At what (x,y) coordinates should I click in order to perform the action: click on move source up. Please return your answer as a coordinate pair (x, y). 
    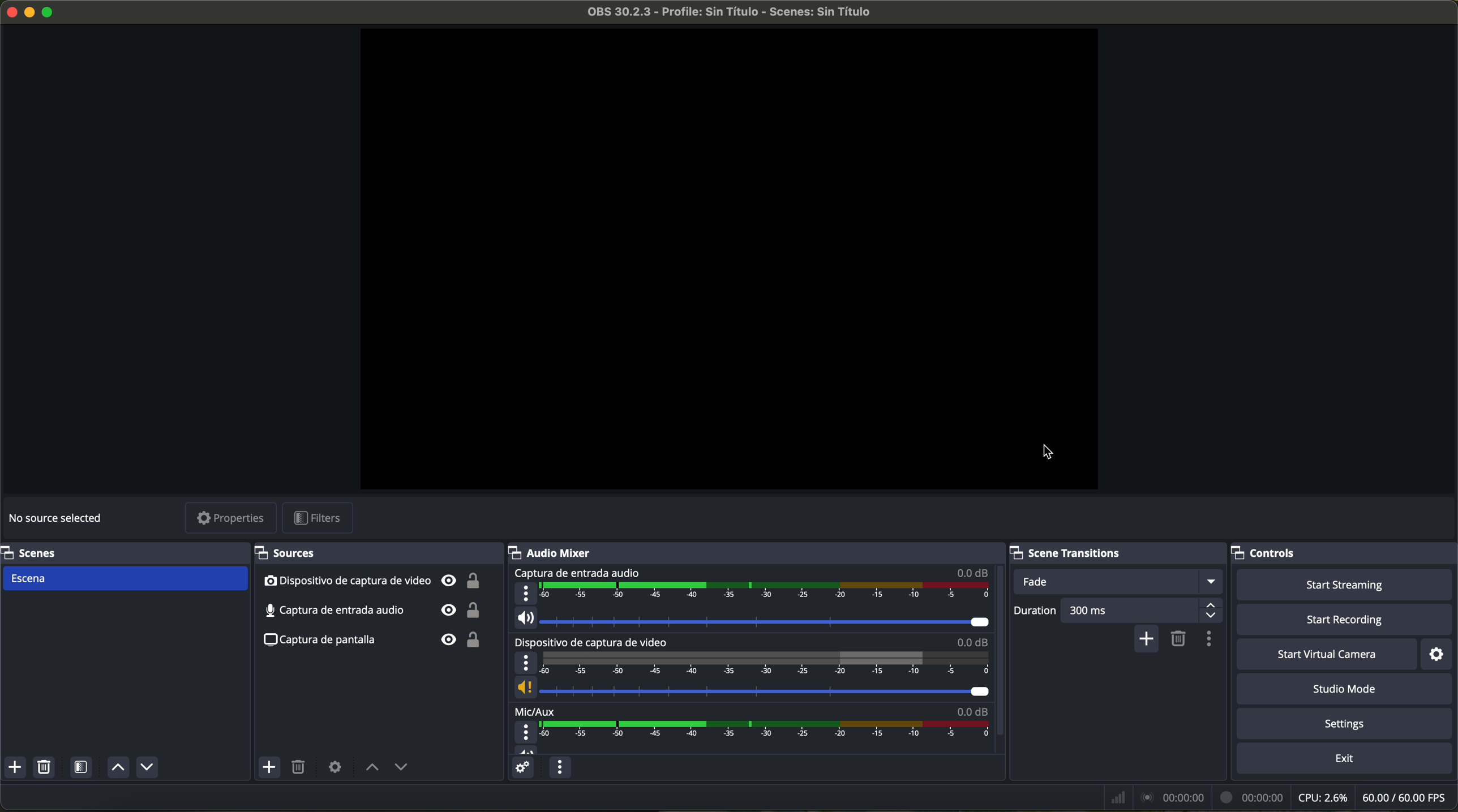
    Looking at the image, I should click on (116, 768).